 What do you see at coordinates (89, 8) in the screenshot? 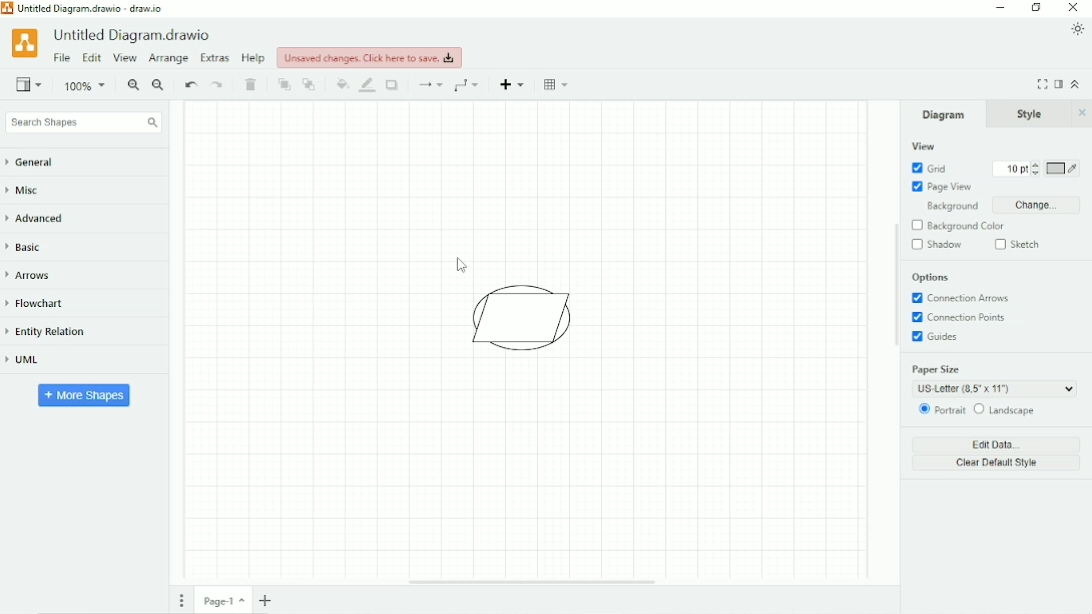
I see `Title ` at bounding box center [89, 8].